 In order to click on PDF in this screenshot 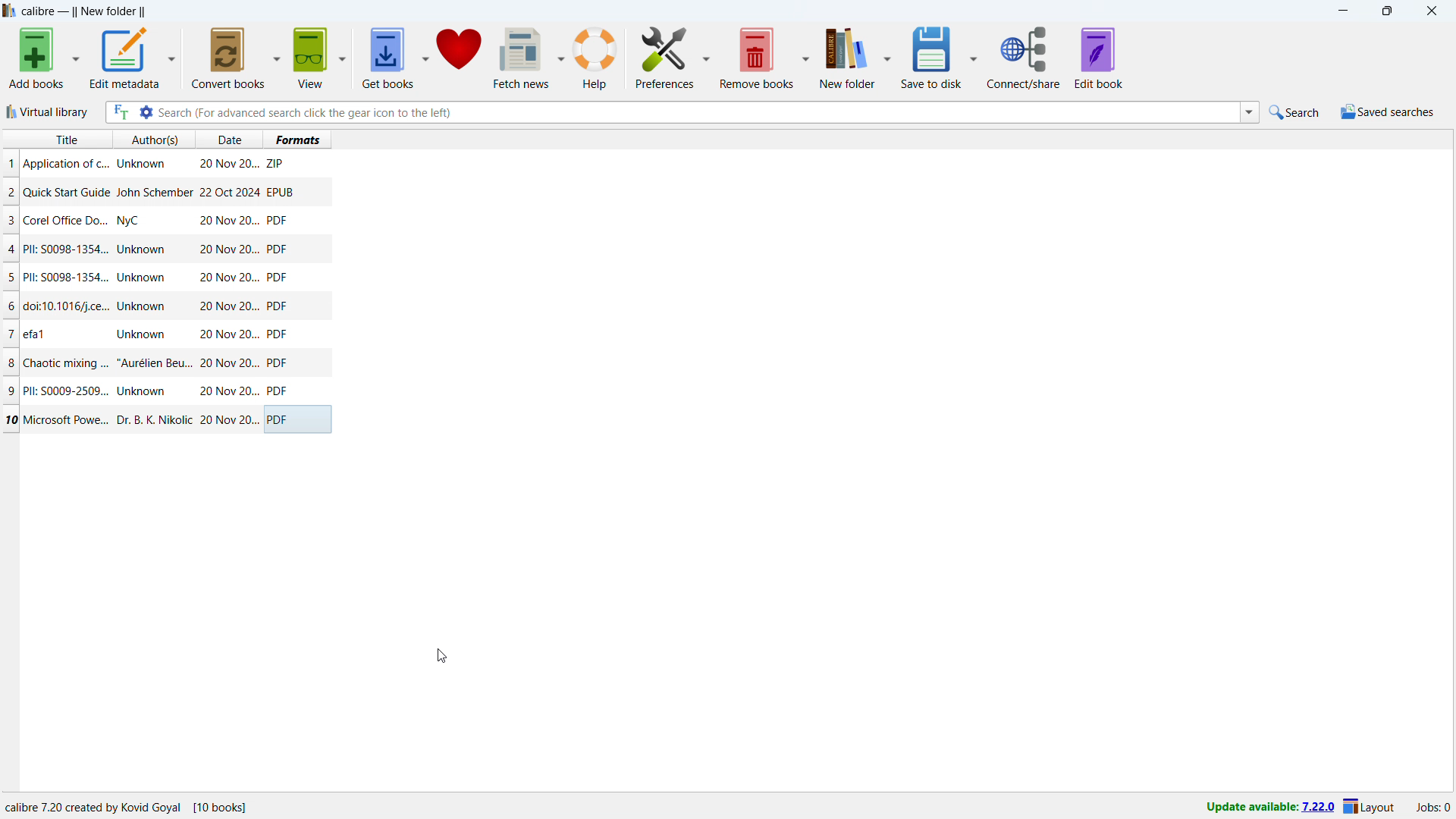, I will do `click(283, 419)`.